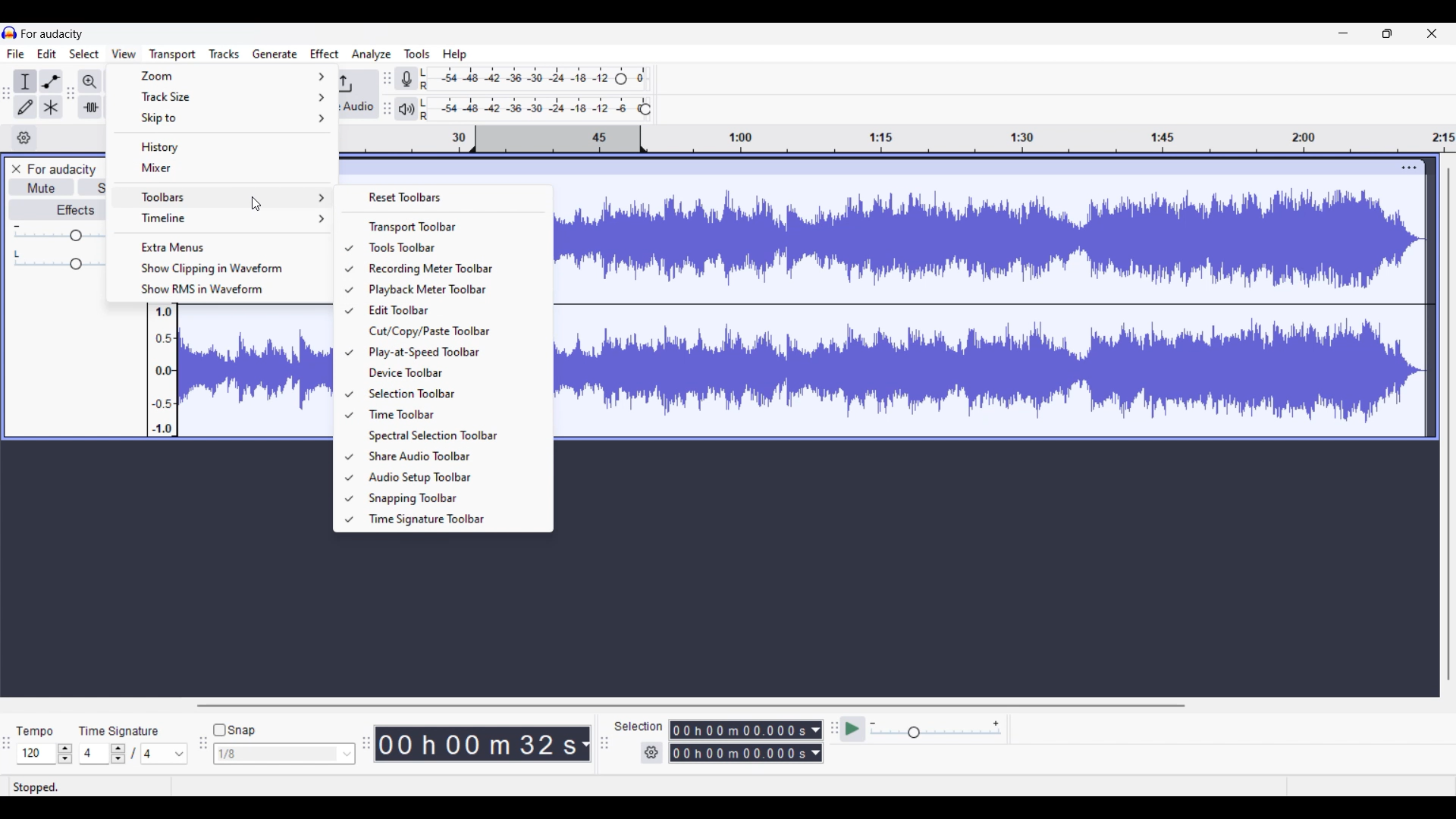 This screenshot has height=819, width=1456. Describe the element at coordinates (817, 730) in the screenshot. I see `Duration measurement` at that location.